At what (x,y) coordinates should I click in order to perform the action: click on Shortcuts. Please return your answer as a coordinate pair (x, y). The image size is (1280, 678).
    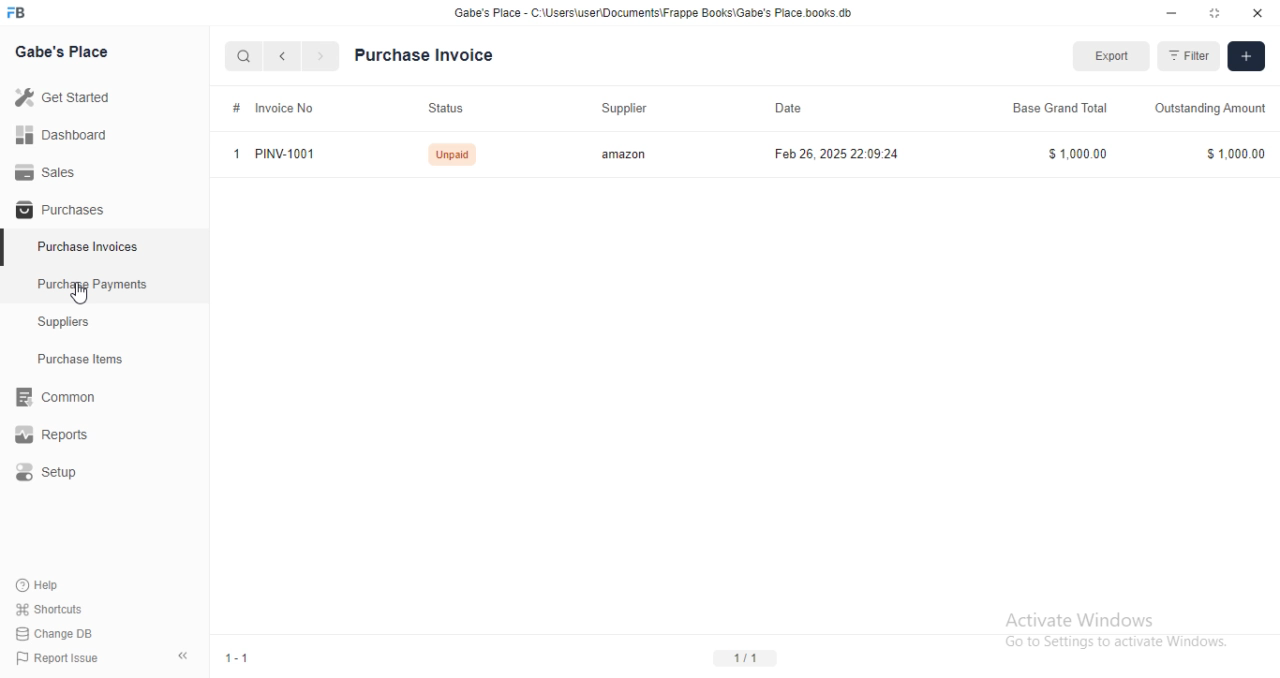
    Looking at the image, I should click on (47, 610).